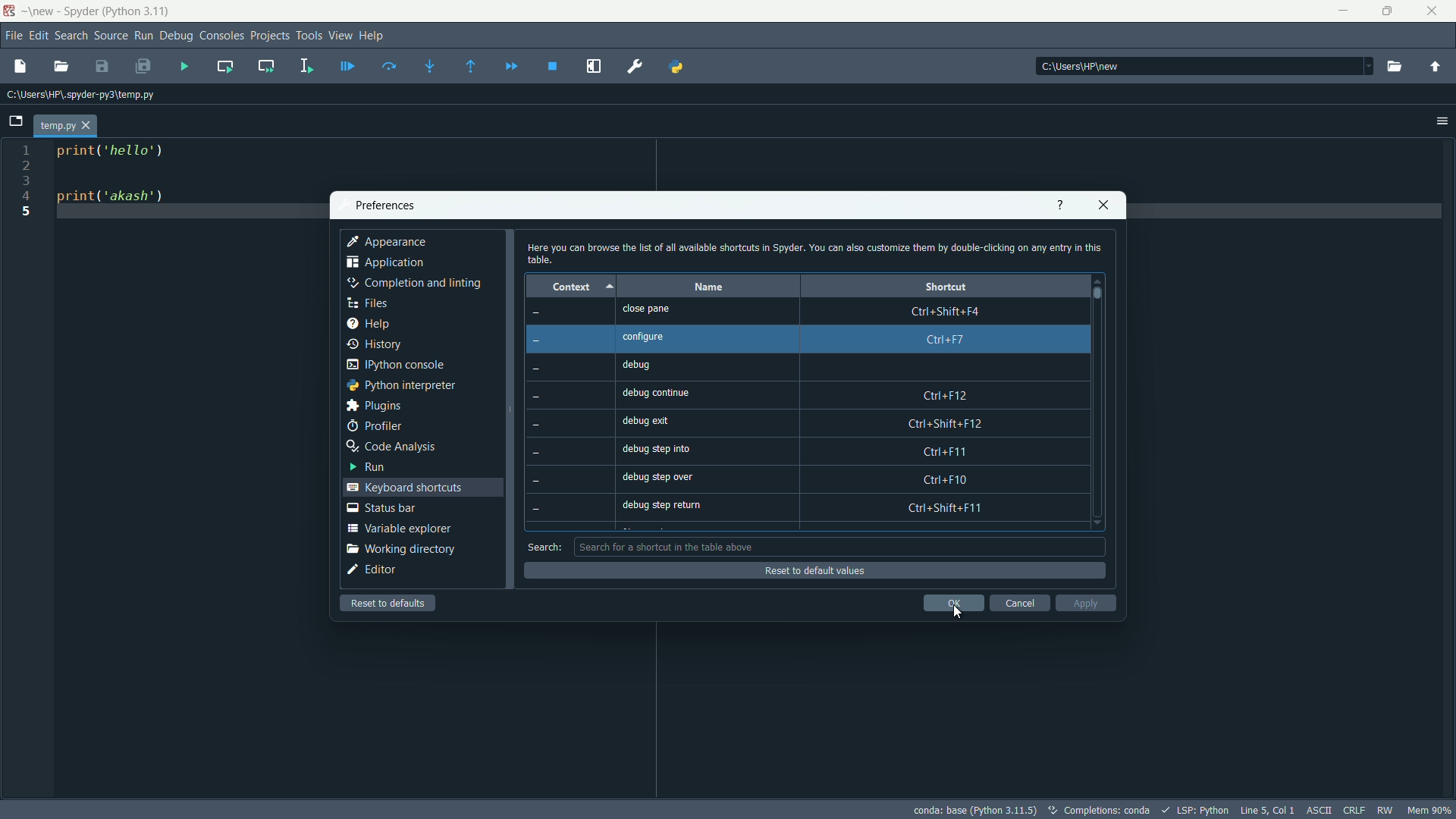 Image resolution: width=1456 pixels, height=819 pixels. Describe the element at coordinates (946, 287) in the screenshot. I see `shortcut` at that location.